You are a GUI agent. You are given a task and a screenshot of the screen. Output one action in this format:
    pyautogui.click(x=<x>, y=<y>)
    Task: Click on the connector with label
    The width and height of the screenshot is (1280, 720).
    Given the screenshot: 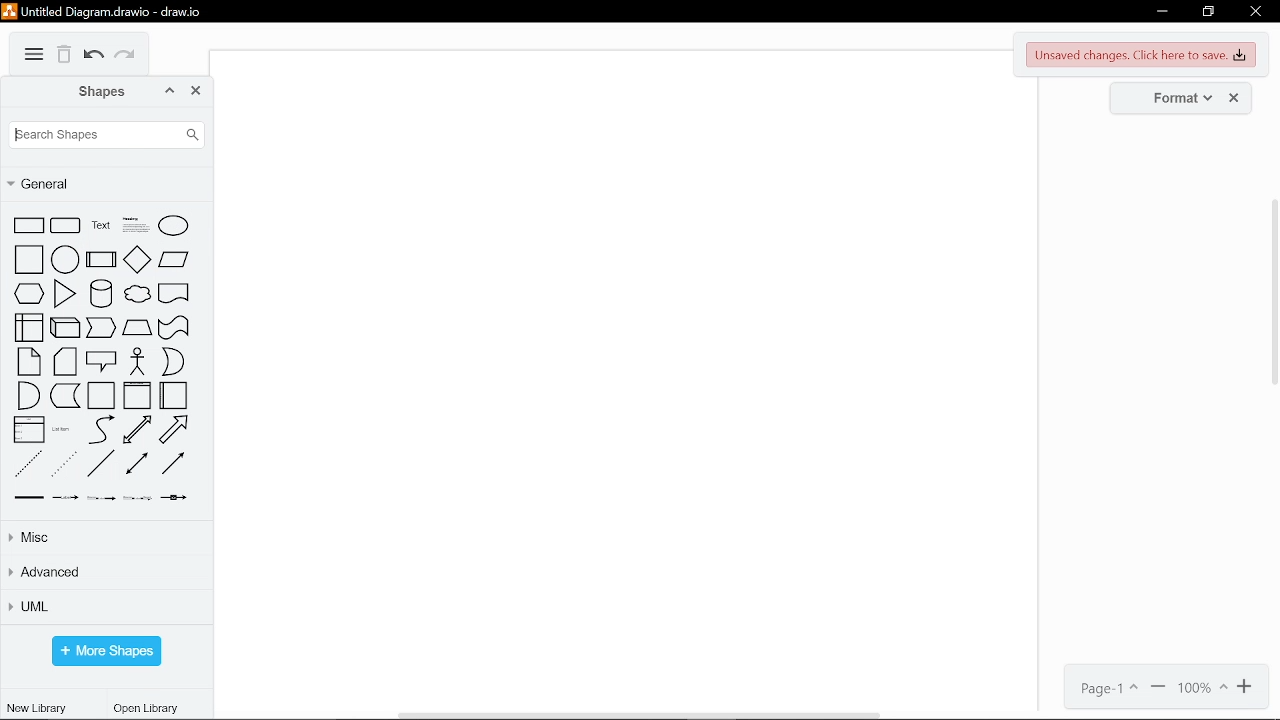 What is the action you would take?
    pyautogui.click(x=66, y=498)
    